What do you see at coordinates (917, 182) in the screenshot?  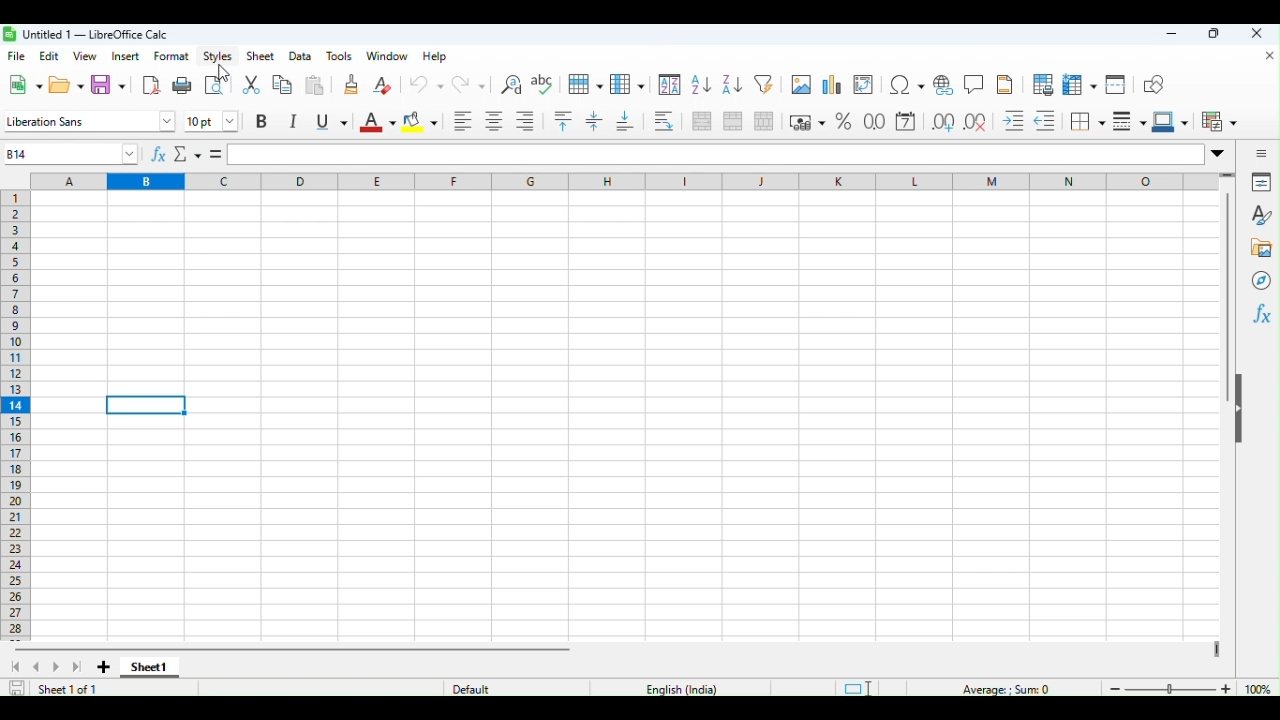 I see `l` at bounding box center [917, 182].